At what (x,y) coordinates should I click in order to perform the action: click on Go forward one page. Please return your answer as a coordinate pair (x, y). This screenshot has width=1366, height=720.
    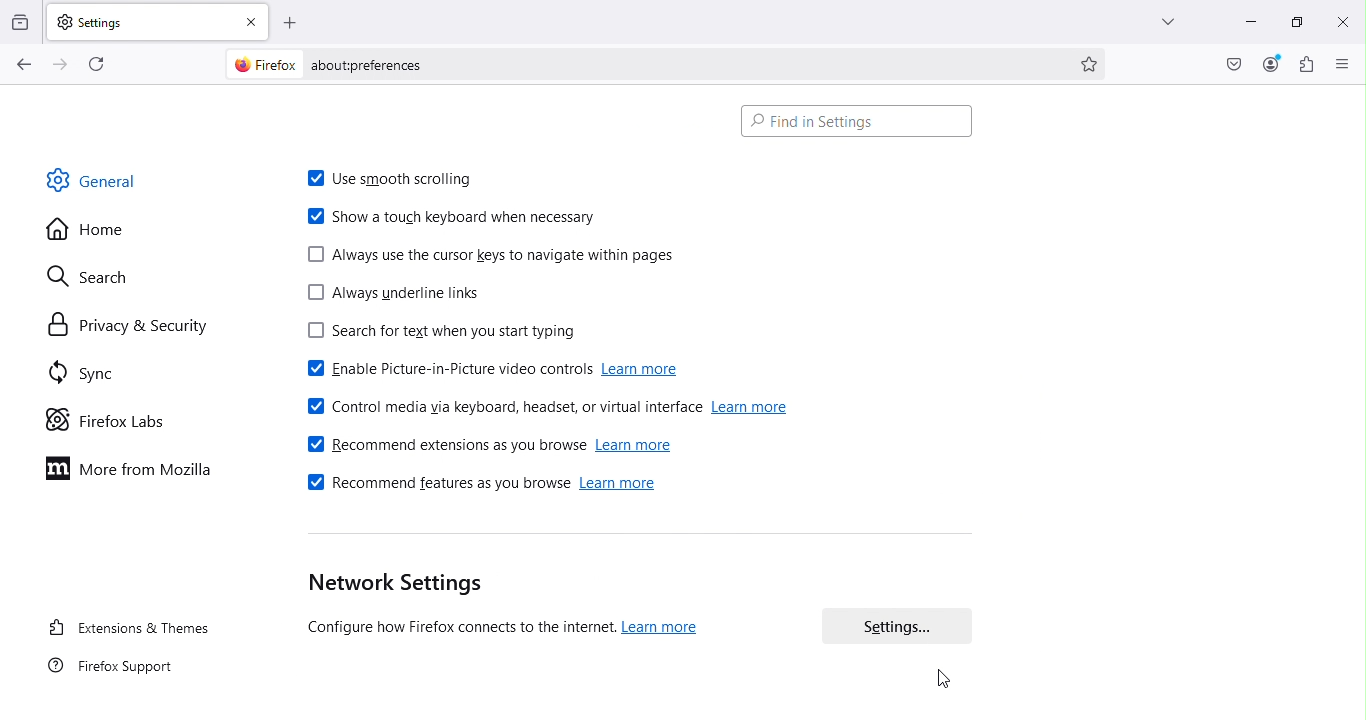
    Looking at the image, I should click on (63, 63).